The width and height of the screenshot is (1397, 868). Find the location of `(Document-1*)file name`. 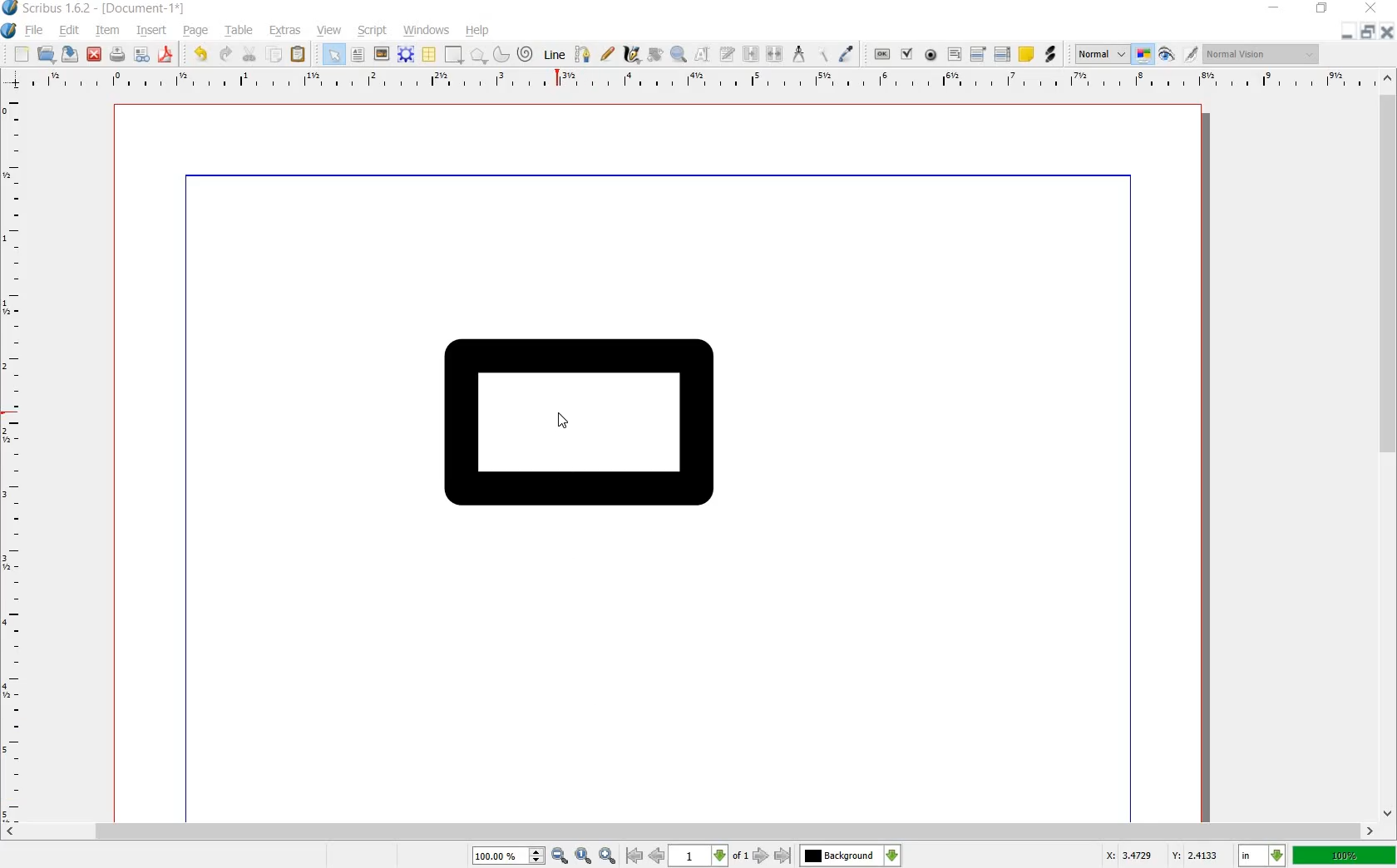

(Document-1*)file name is located at coordinates (173, 9).